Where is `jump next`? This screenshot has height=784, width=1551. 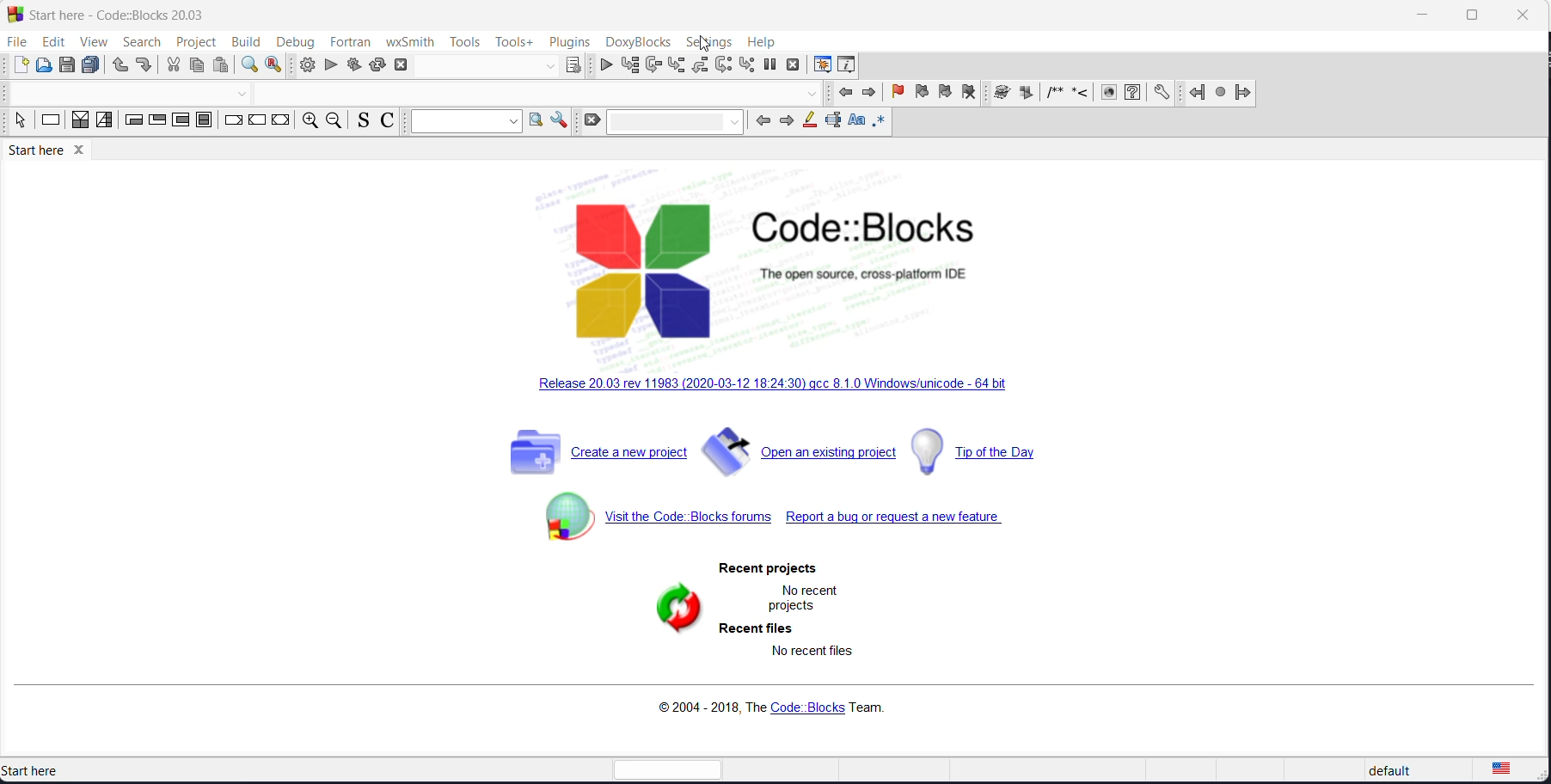
jump next is located at coordinates (1220, 93).